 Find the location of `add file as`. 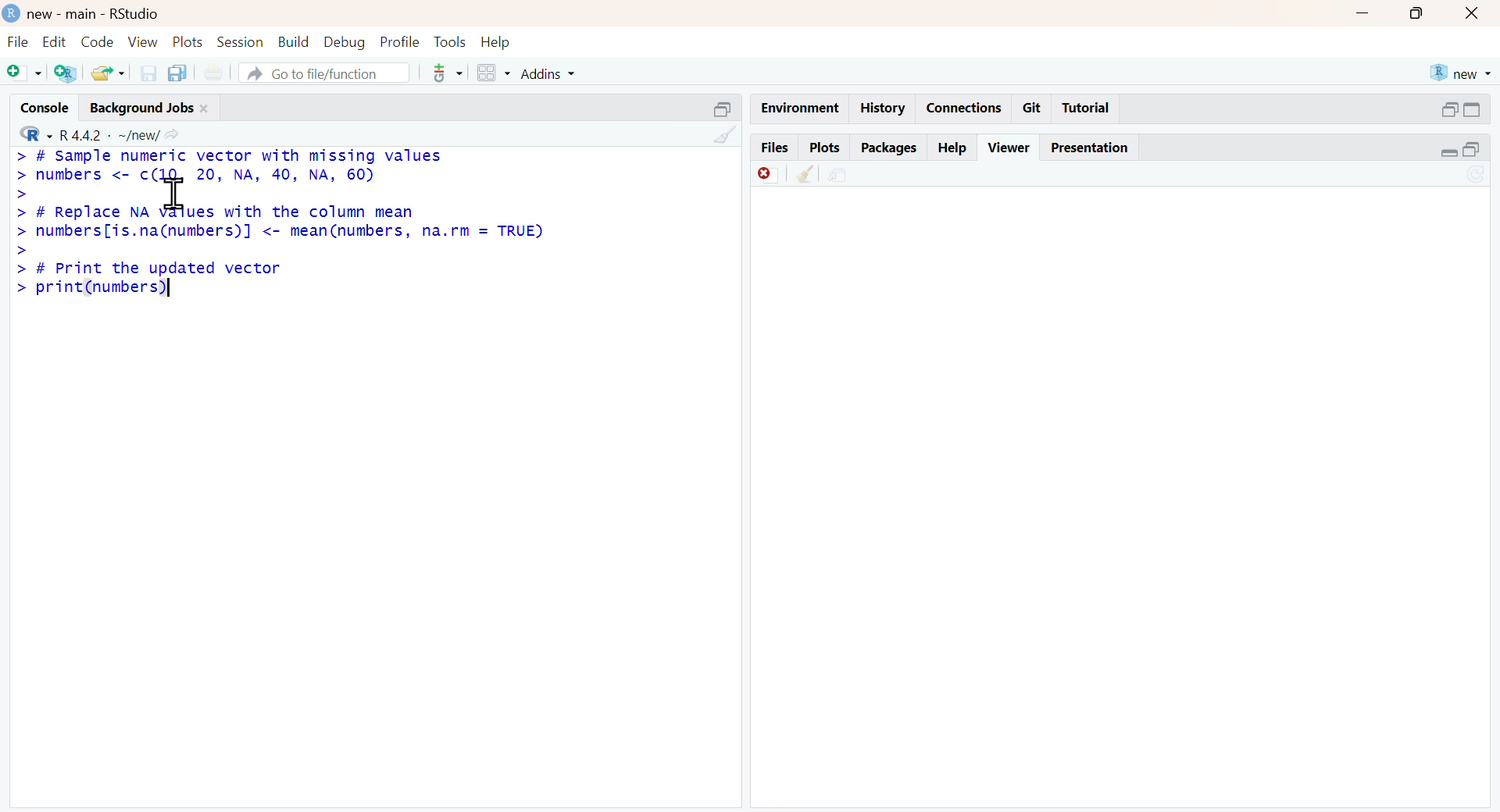

add file as is located at coordinates (25, 73).